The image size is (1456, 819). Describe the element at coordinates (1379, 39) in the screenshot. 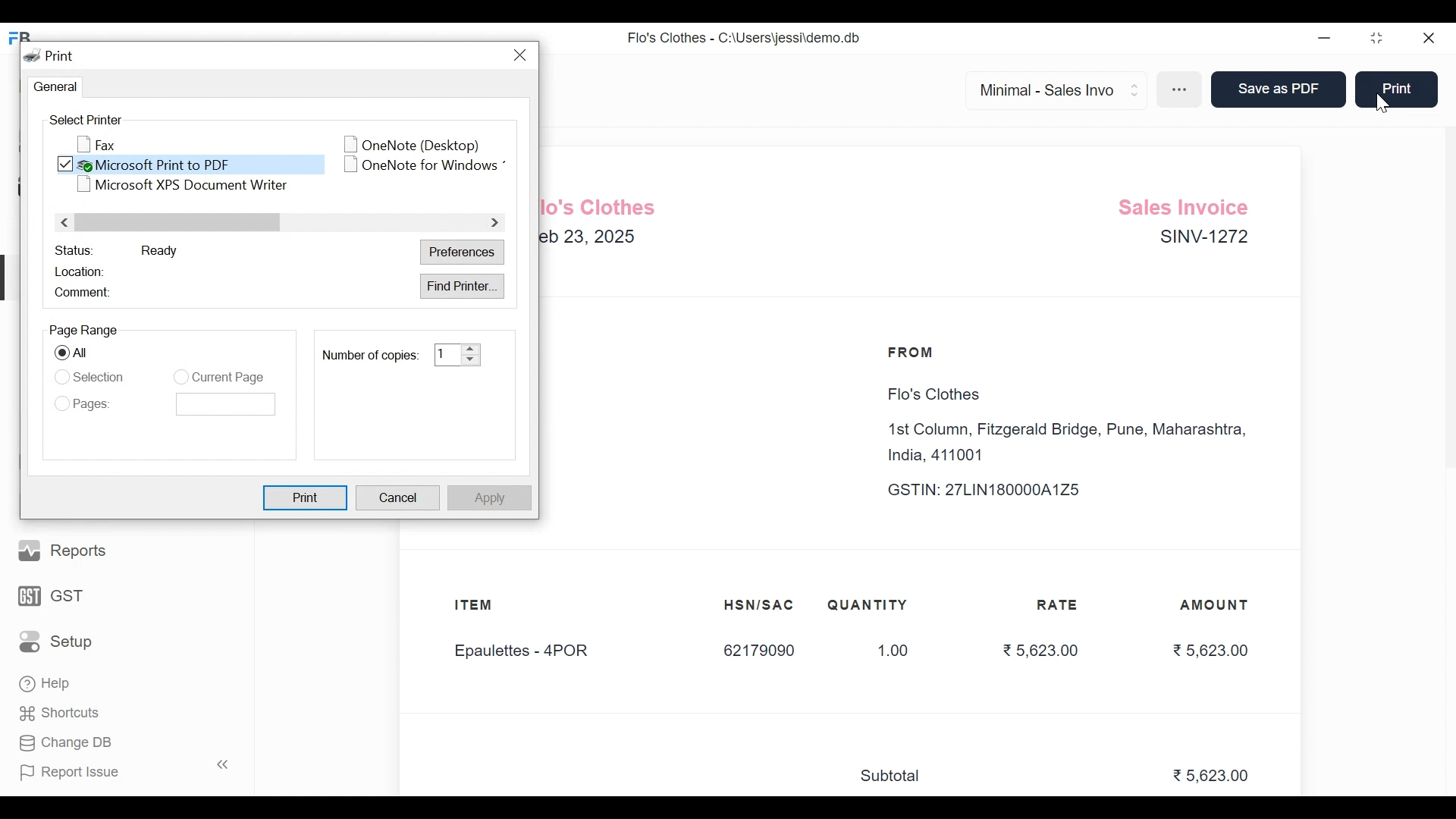

I see `Restore` at that location.